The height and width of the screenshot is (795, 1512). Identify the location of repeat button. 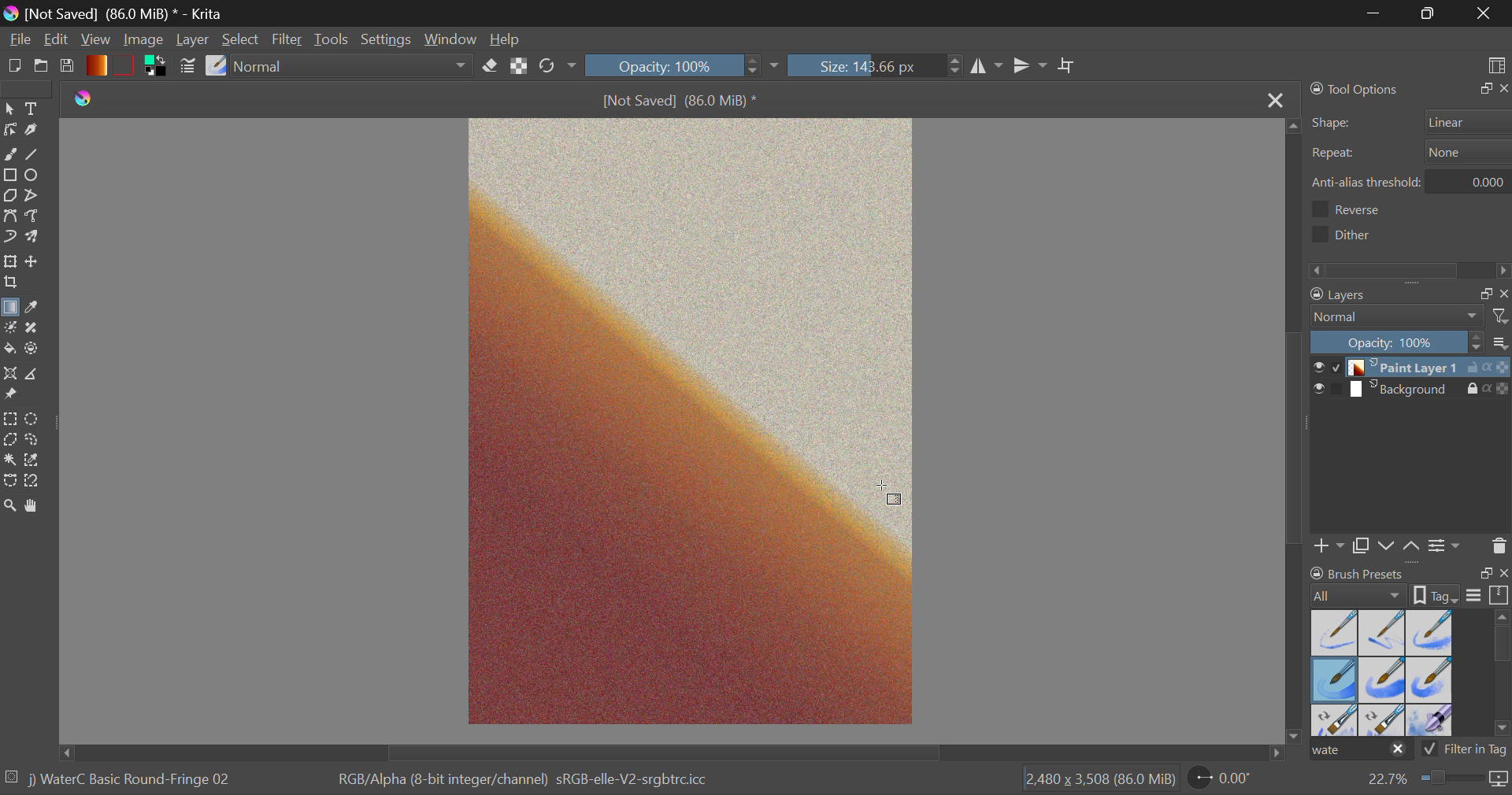
(1464, 152).